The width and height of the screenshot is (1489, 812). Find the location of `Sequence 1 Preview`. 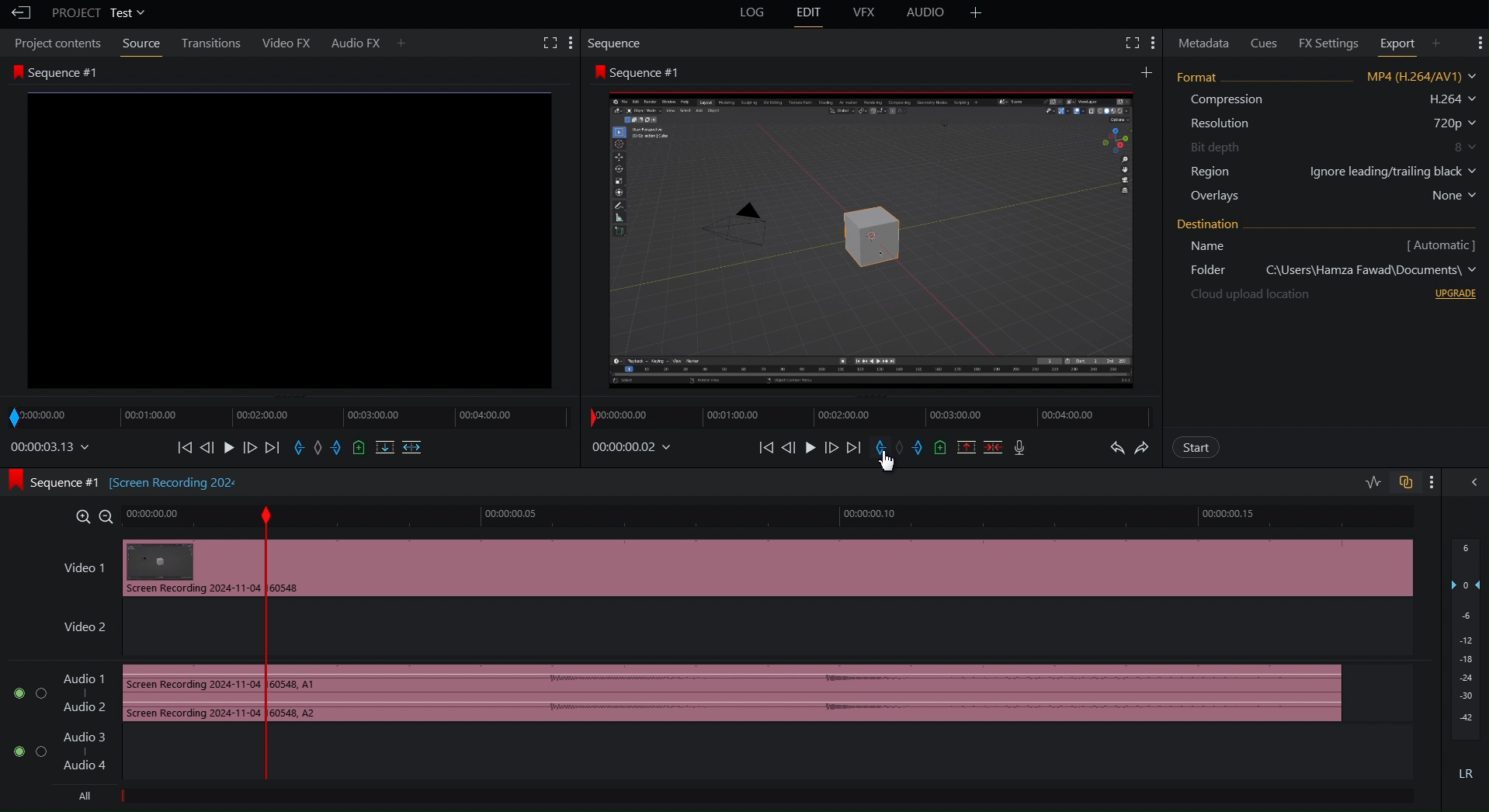

Sequence 1 Preview is located at coordinates (869, 228).